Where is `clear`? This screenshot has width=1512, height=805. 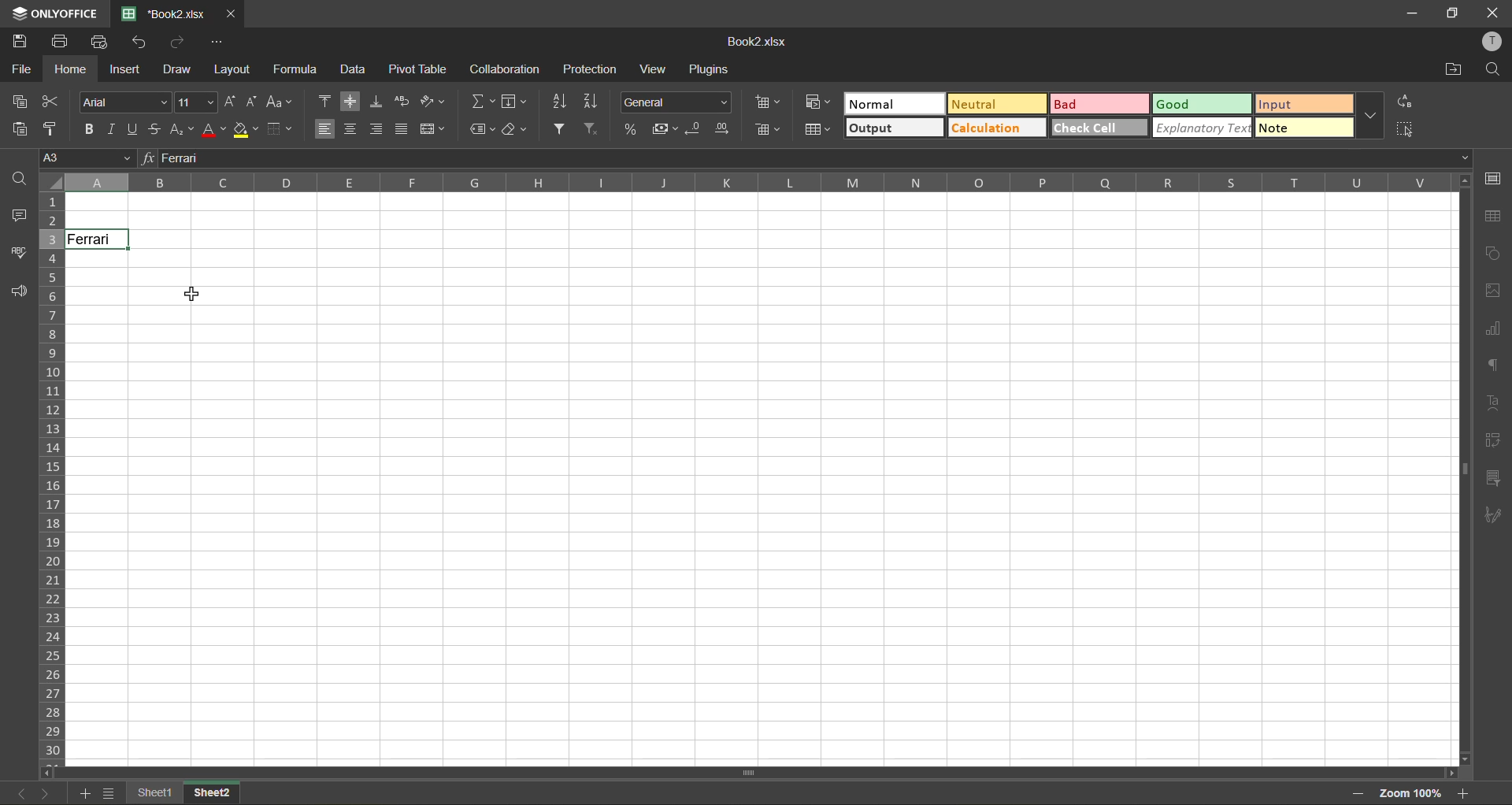
clear is located at coordinates (514, 129).